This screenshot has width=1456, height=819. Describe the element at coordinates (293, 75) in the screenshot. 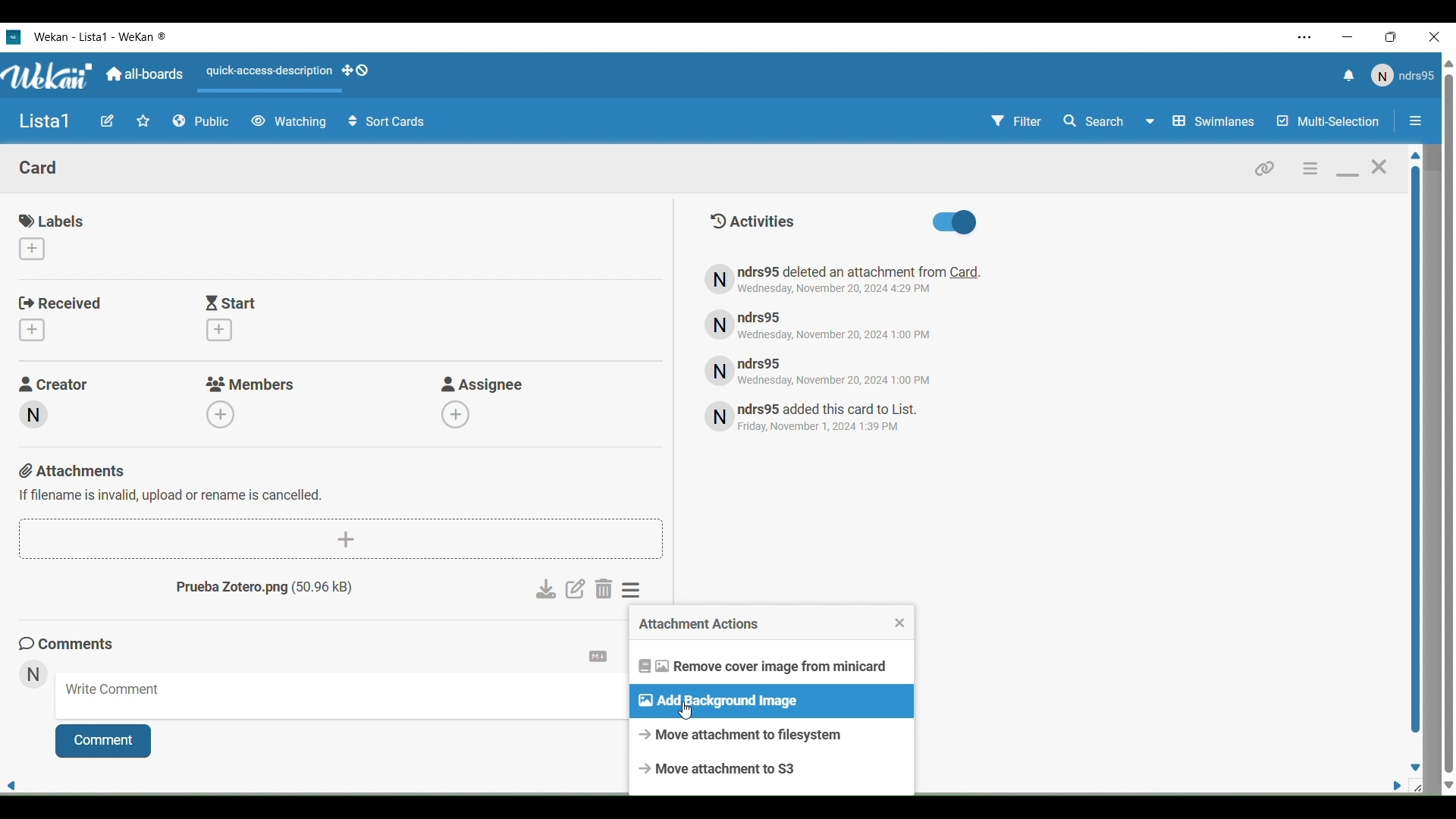

I see `Actions` at that location.